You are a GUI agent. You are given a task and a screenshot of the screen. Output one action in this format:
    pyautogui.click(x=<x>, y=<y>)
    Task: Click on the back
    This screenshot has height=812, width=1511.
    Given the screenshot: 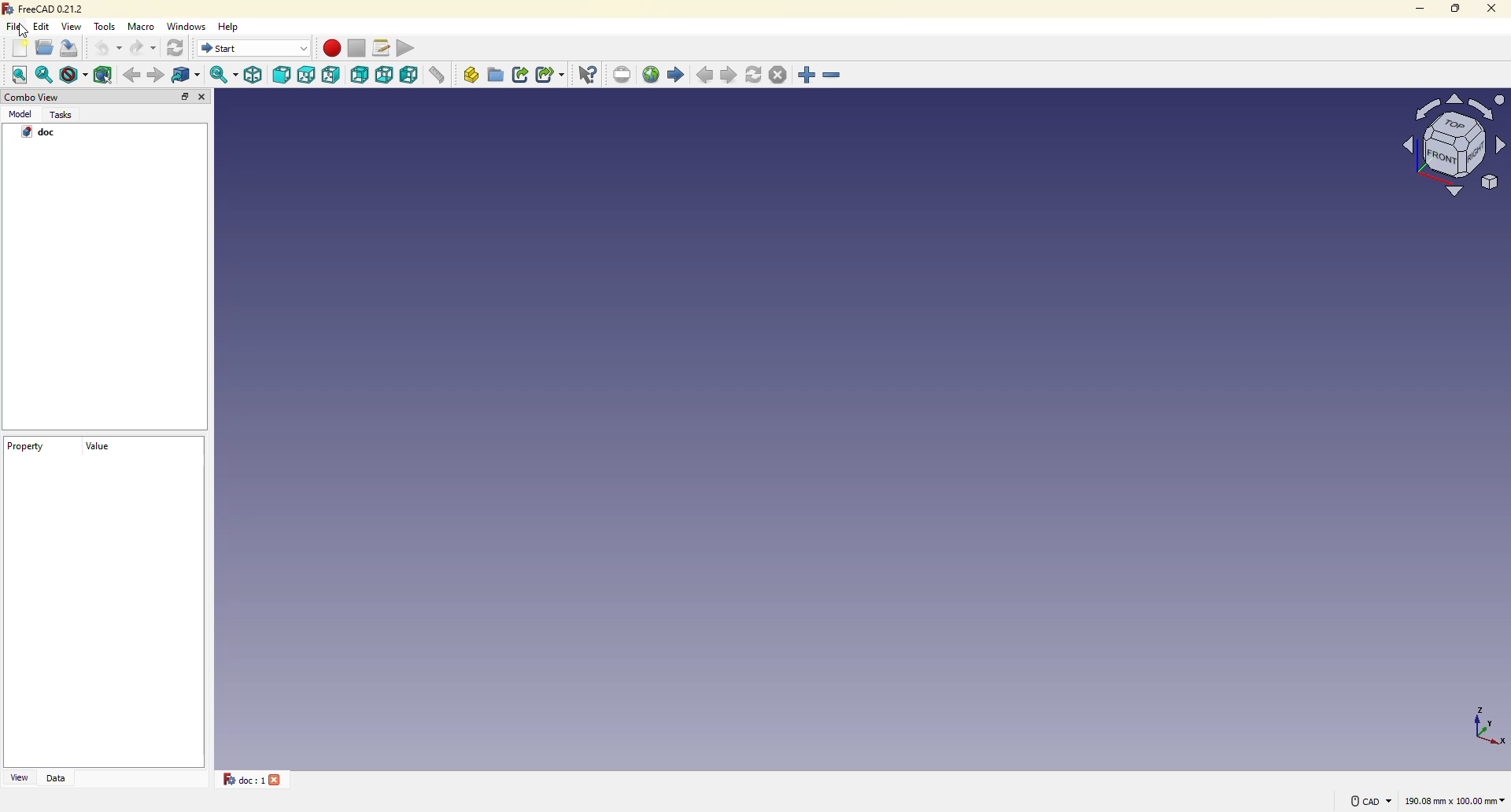 What is the action you would take?
    pyautogui.click(x=130, y=75)
    